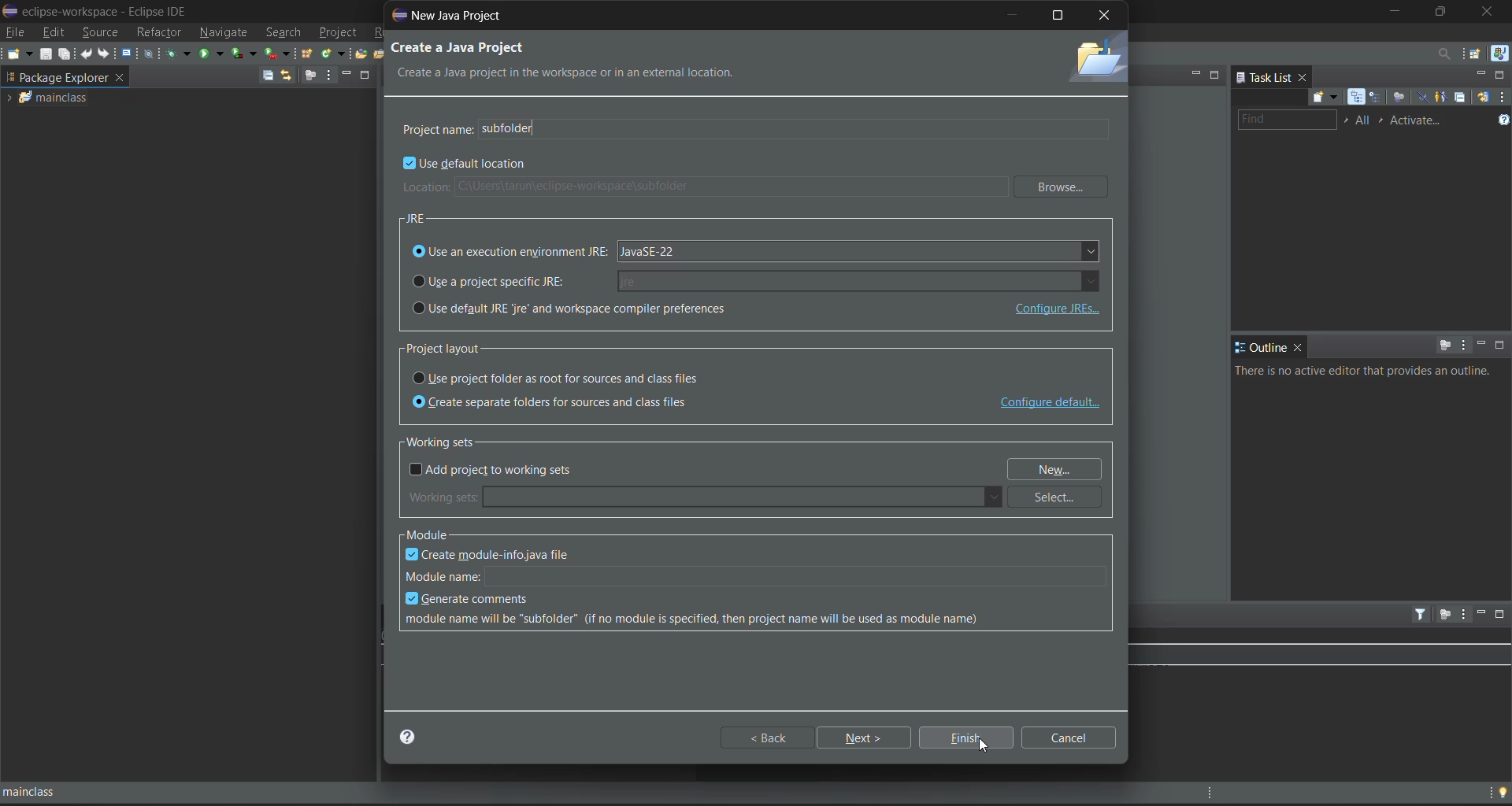 The height and width of the screenshot is (806, 1512). Describe the element at coordinates (1502, 790) in the screenshot. I see `tip of the day` at that location.